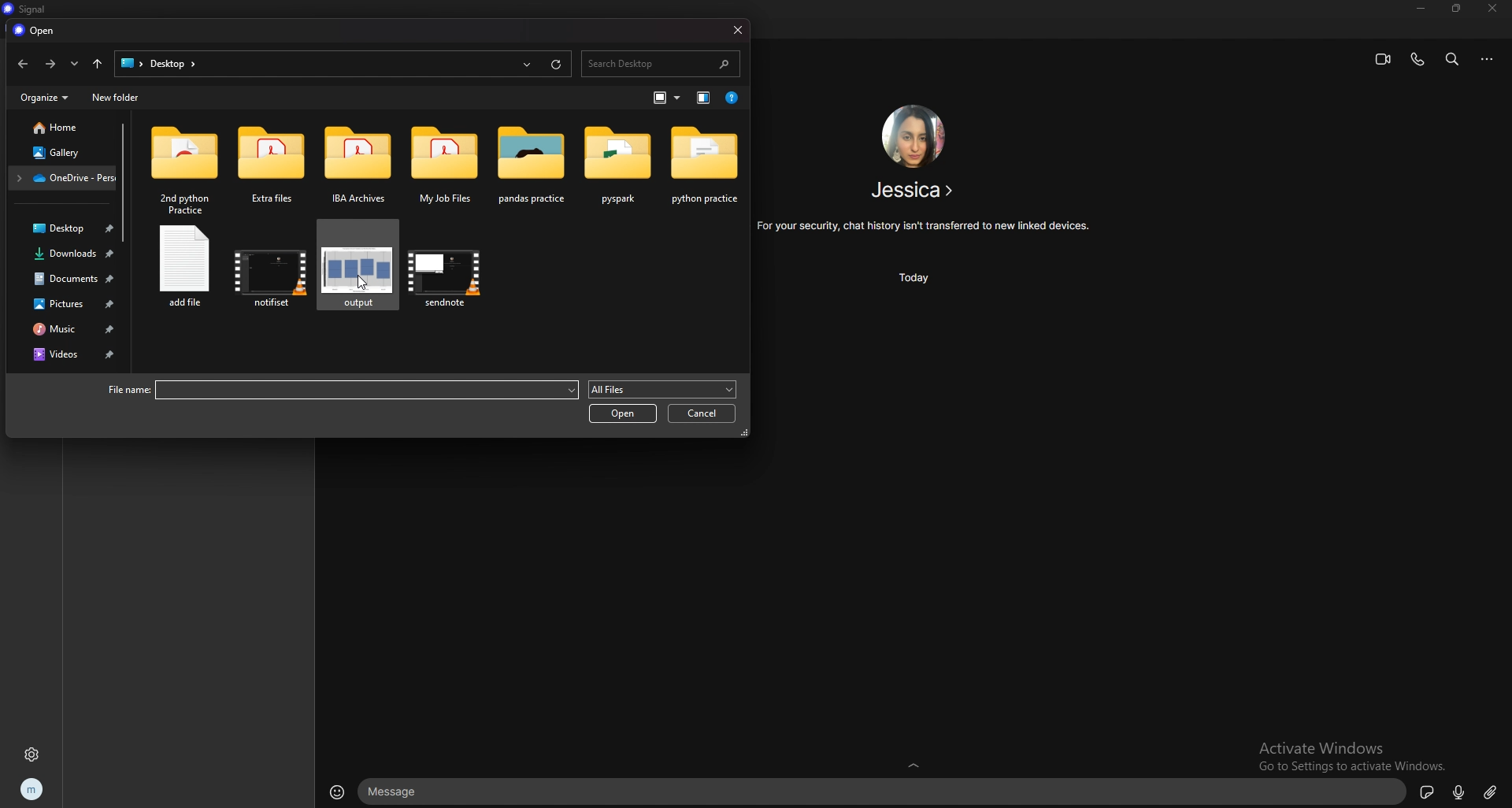 The image size is (1512, 808). What do you see at coordinates (447, 165) in the screenshot?
I see `folder` at bounding box center [447, 165].